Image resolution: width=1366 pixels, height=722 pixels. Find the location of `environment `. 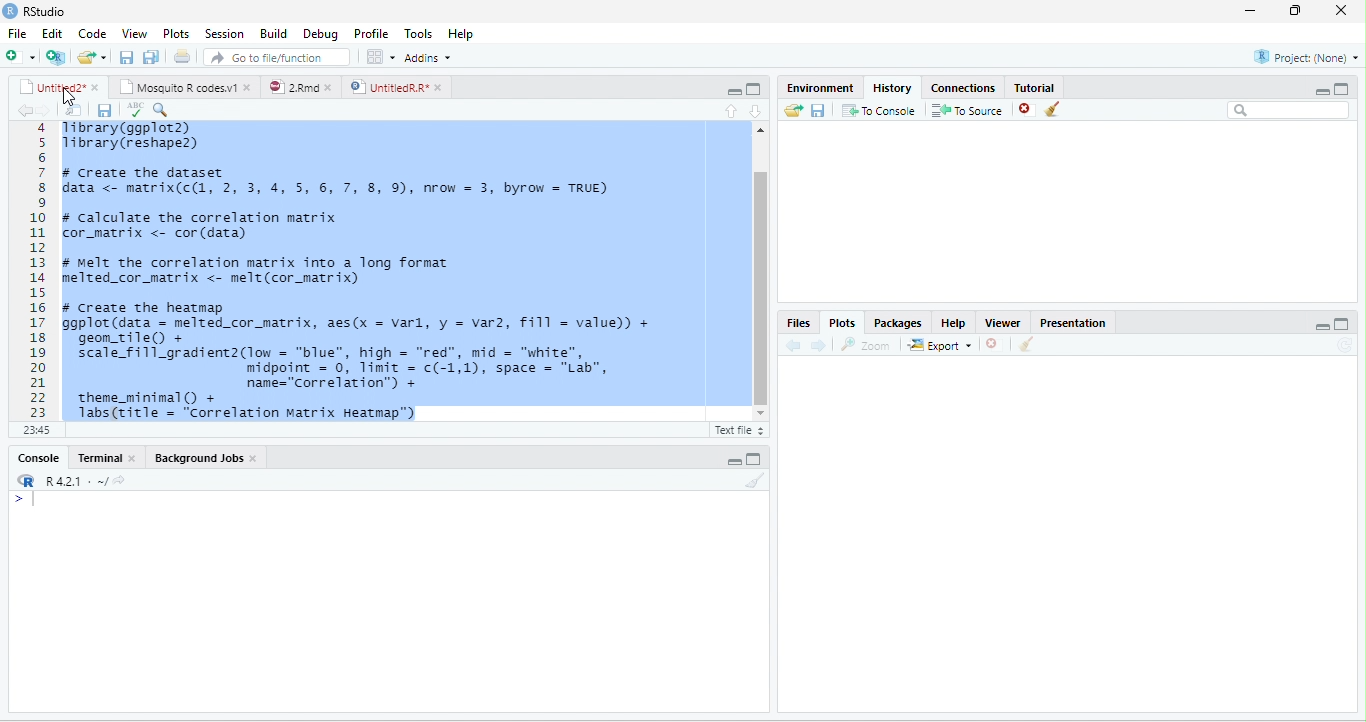

environment  is located at coordinates (812, 86).